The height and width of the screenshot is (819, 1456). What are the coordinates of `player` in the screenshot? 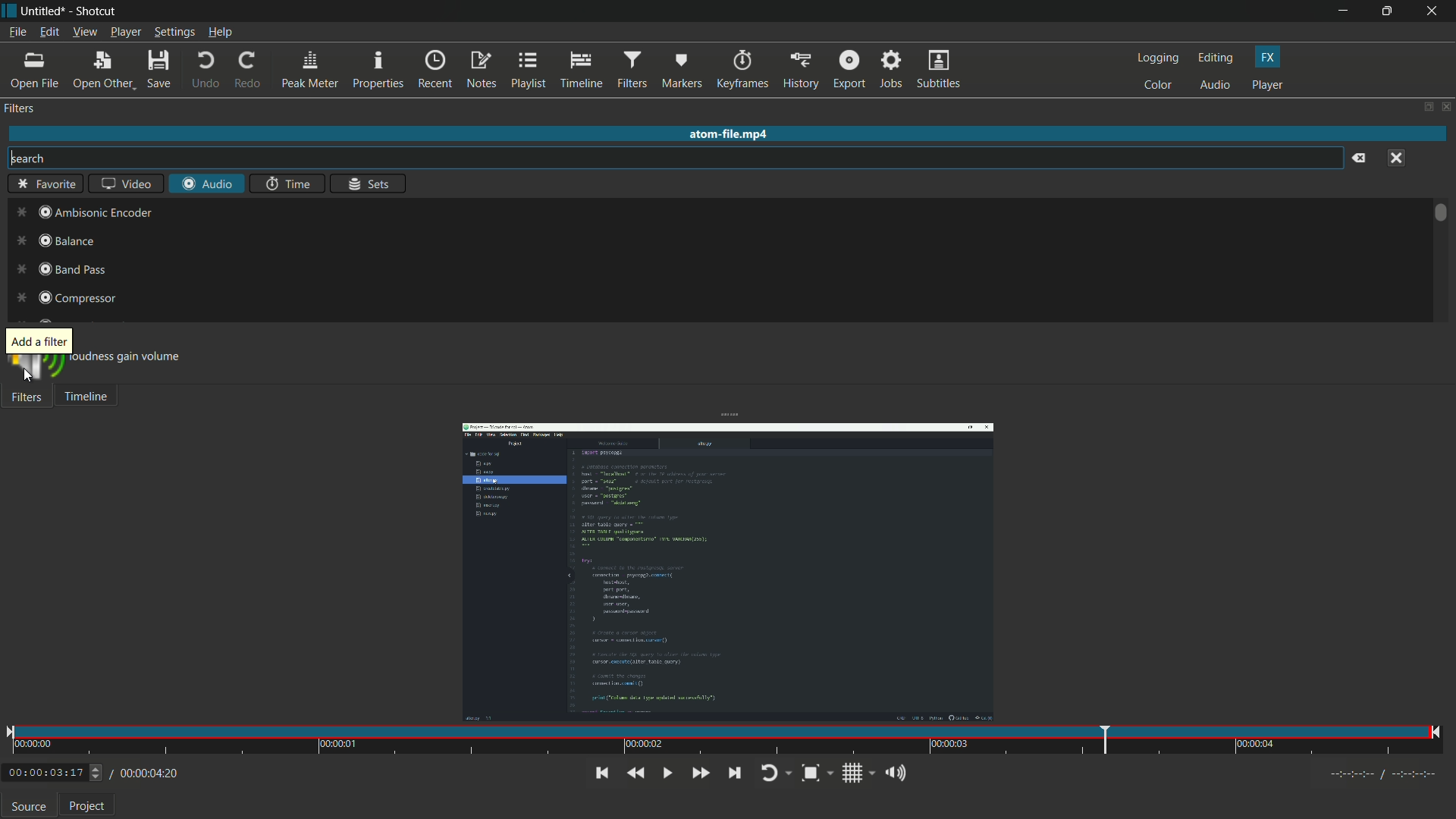 It's located at (1267, 85).